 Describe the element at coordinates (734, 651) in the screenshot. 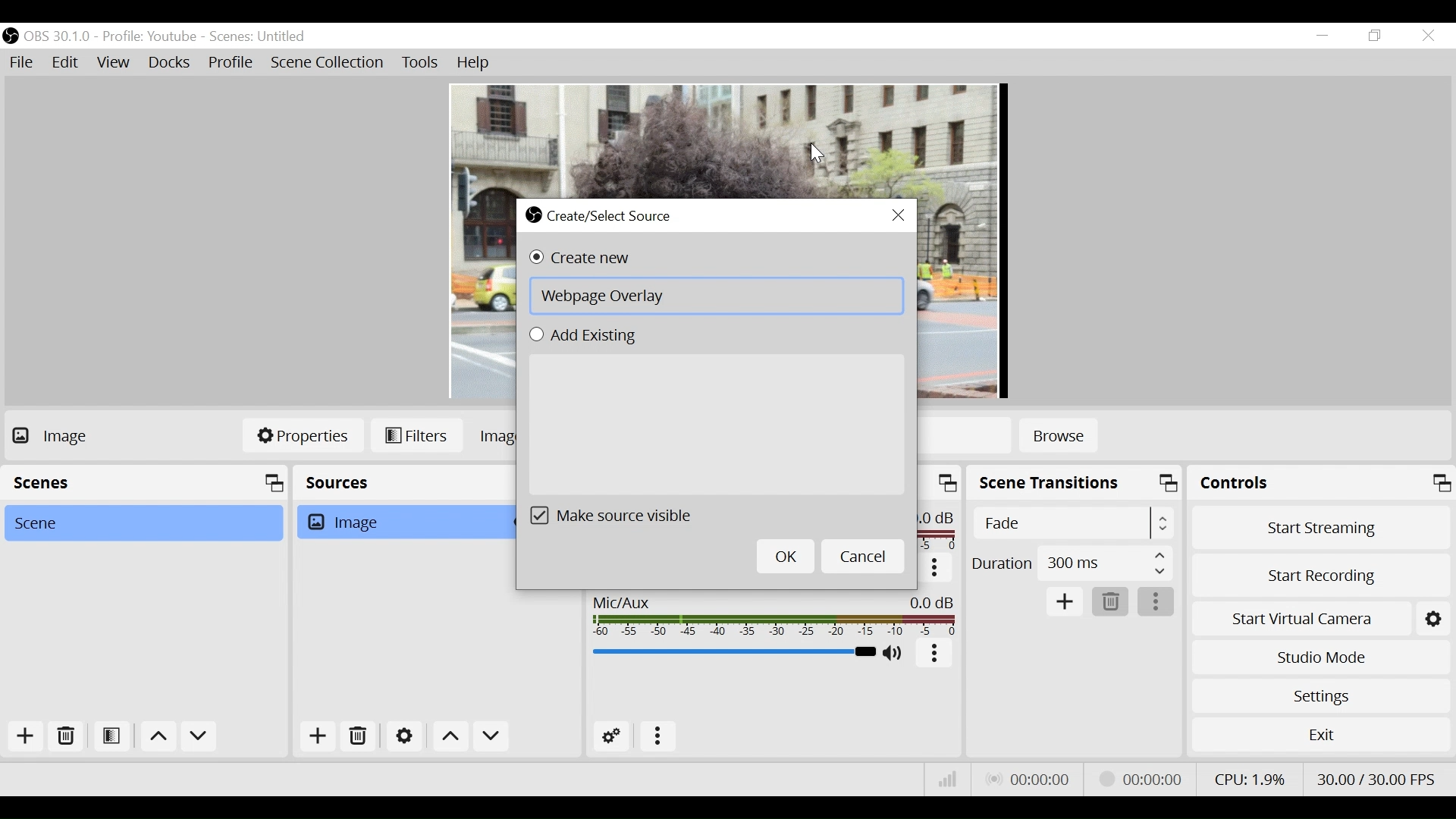

I see `Mic/Aux Slider` at that location.